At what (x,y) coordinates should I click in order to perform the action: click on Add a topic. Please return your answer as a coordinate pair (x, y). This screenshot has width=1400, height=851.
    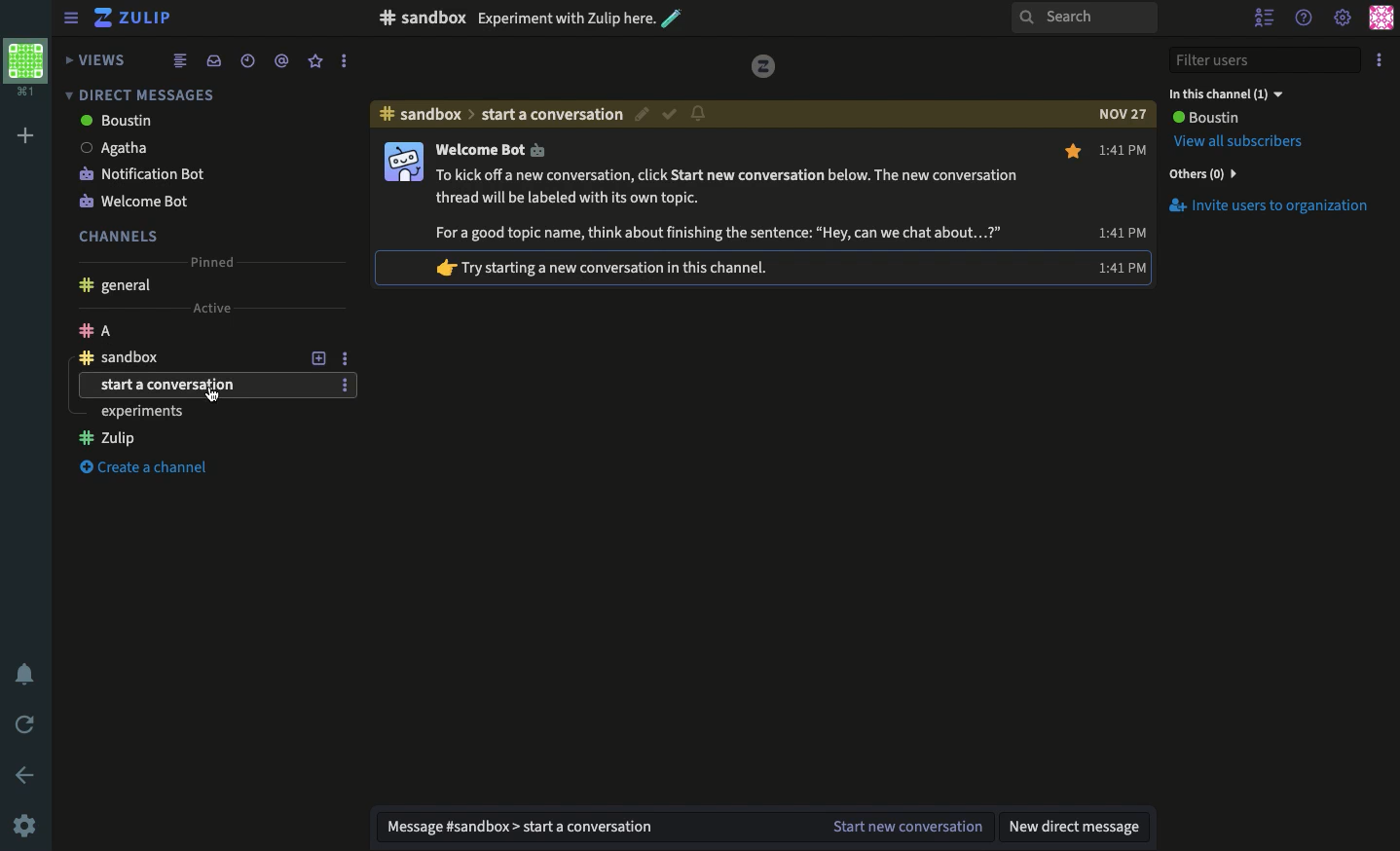
    Looking at the image, I should click on (321, 357).